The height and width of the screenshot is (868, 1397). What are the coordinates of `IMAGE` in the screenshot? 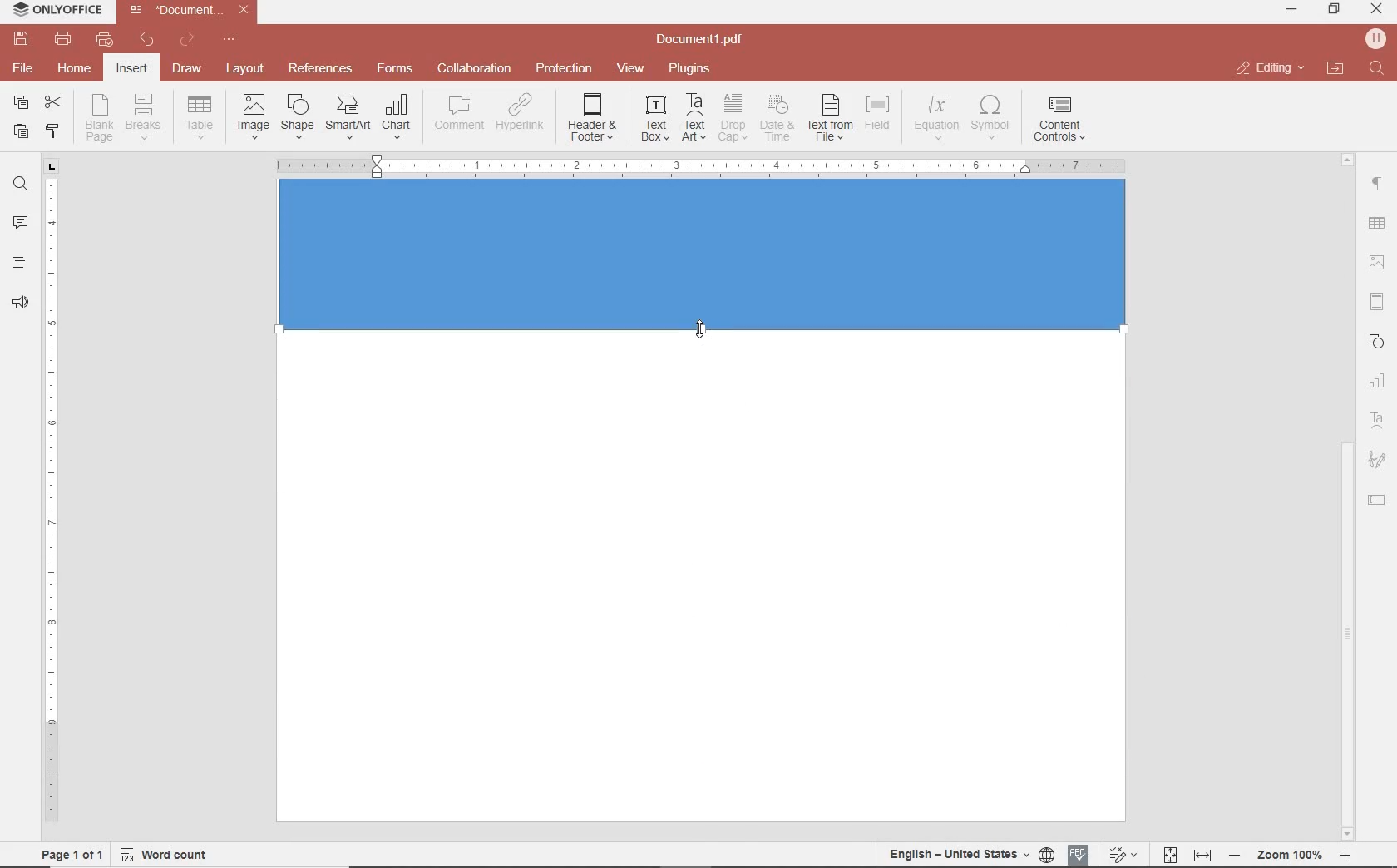 It's located at (1378, 264).